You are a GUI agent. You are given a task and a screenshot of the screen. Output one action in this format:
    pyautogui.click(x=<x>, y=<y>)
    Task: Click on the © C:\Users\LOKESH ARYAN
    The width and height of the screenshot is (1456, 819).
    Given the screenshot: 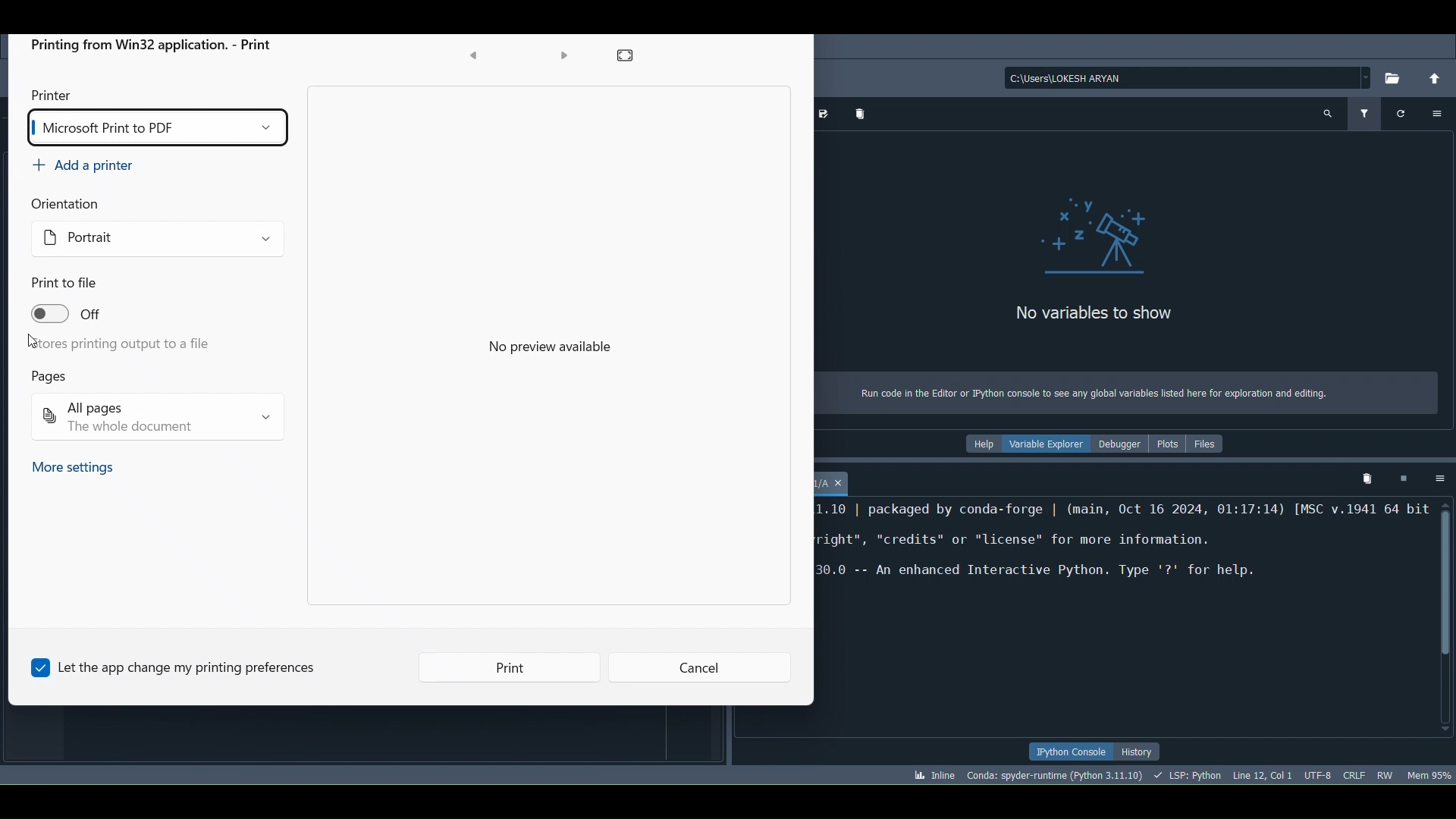 What is the action you would take?
    pyautogui.click(x=1176, y=78)
    